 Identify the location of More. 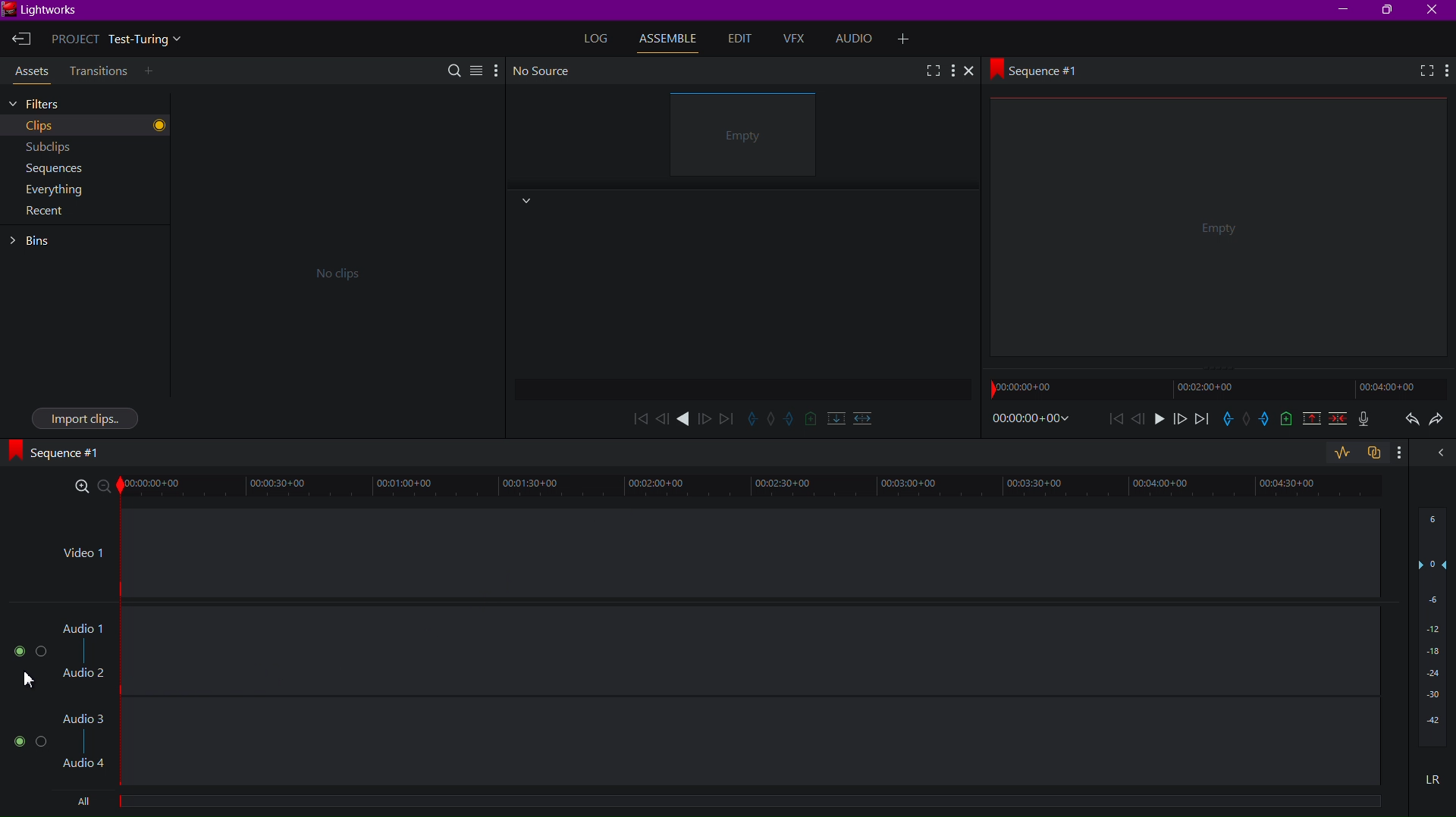
(1446, 71).